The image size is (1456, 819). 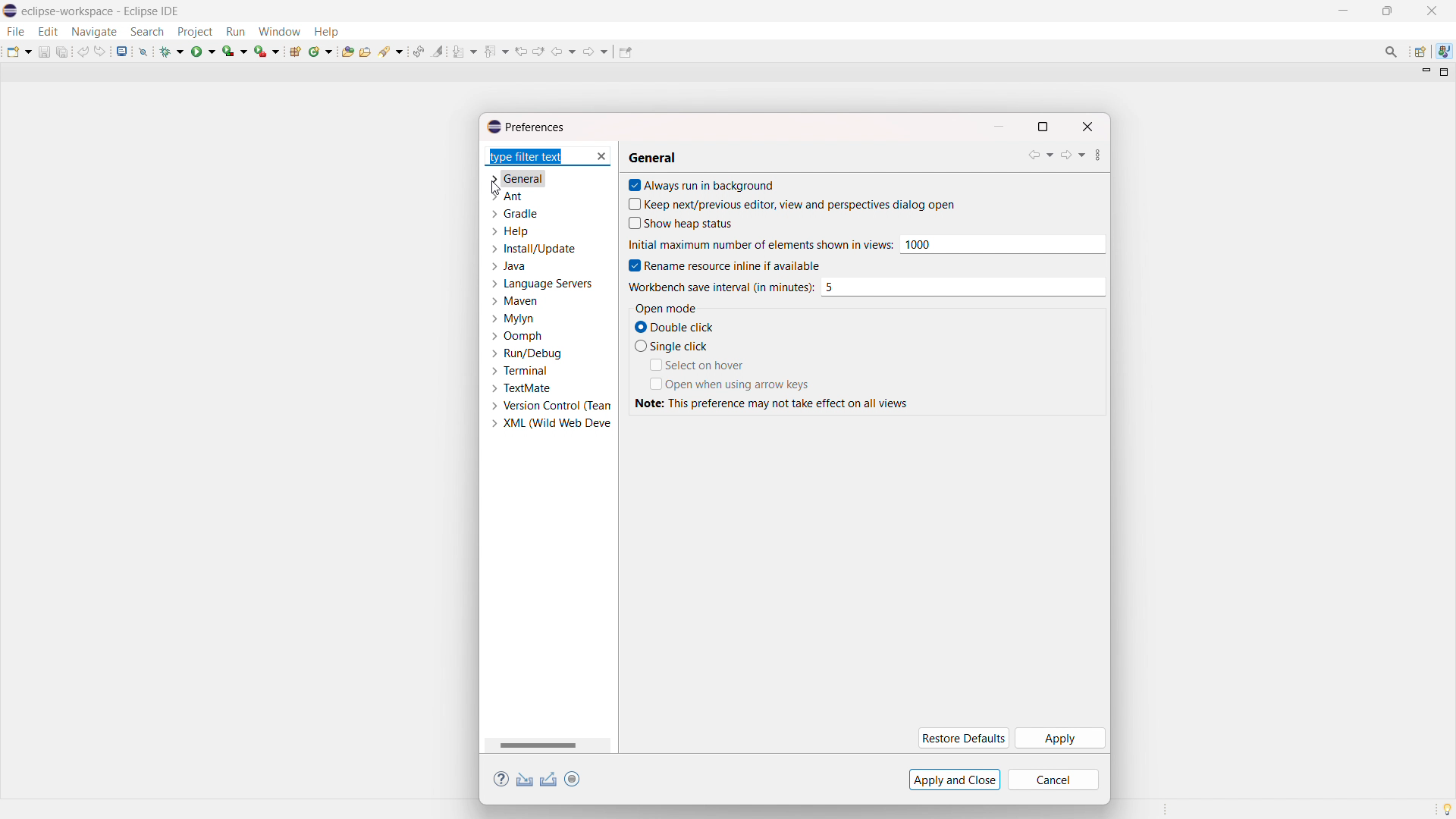 What do you see at coordinates (347, 50) in the screenshot?
I see `open type` at bounding box center [347, 50].